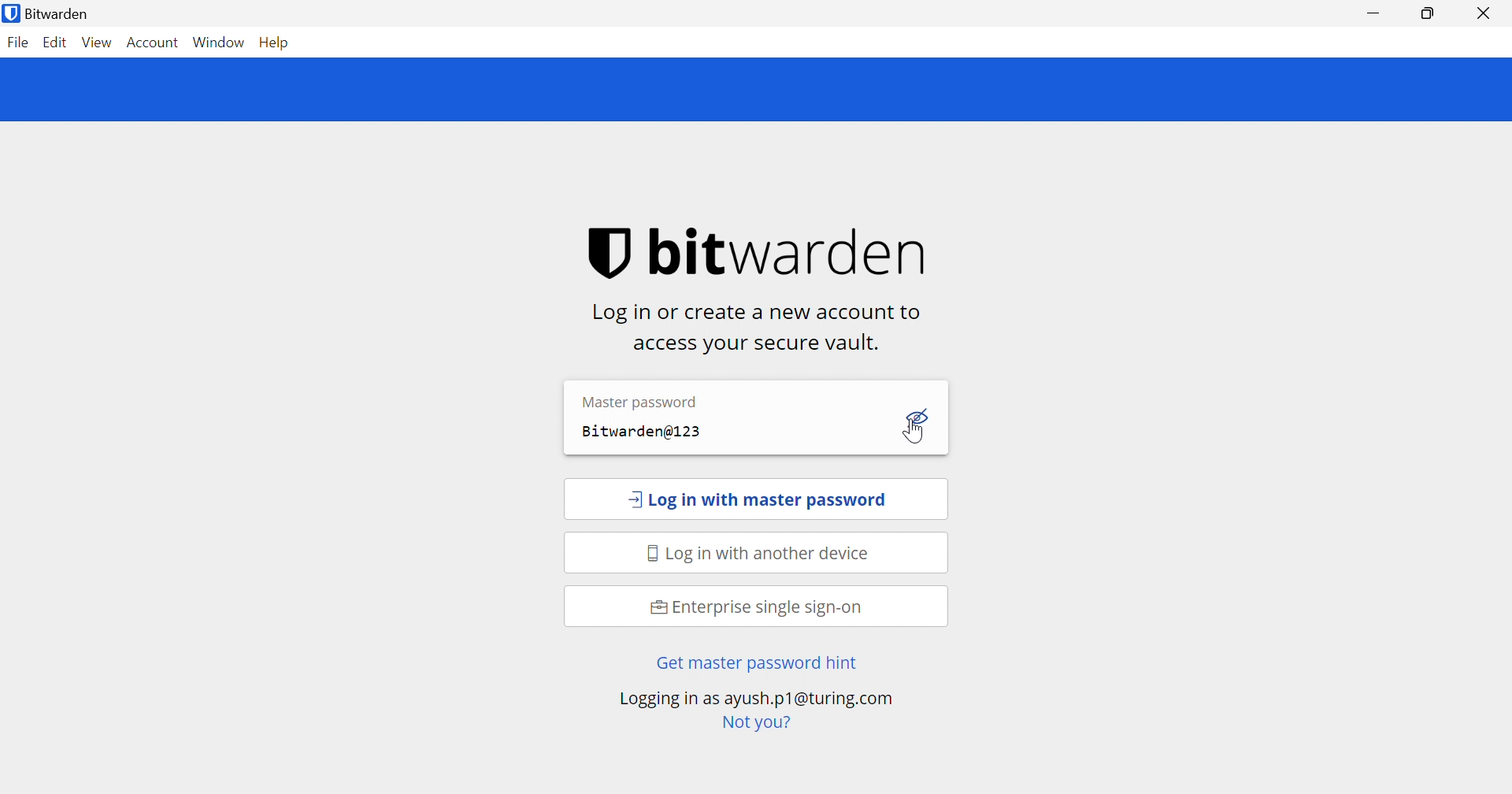 This screenshot has width=1512, height=794. I want to click on Bitwarden@123, so click(645, 434).